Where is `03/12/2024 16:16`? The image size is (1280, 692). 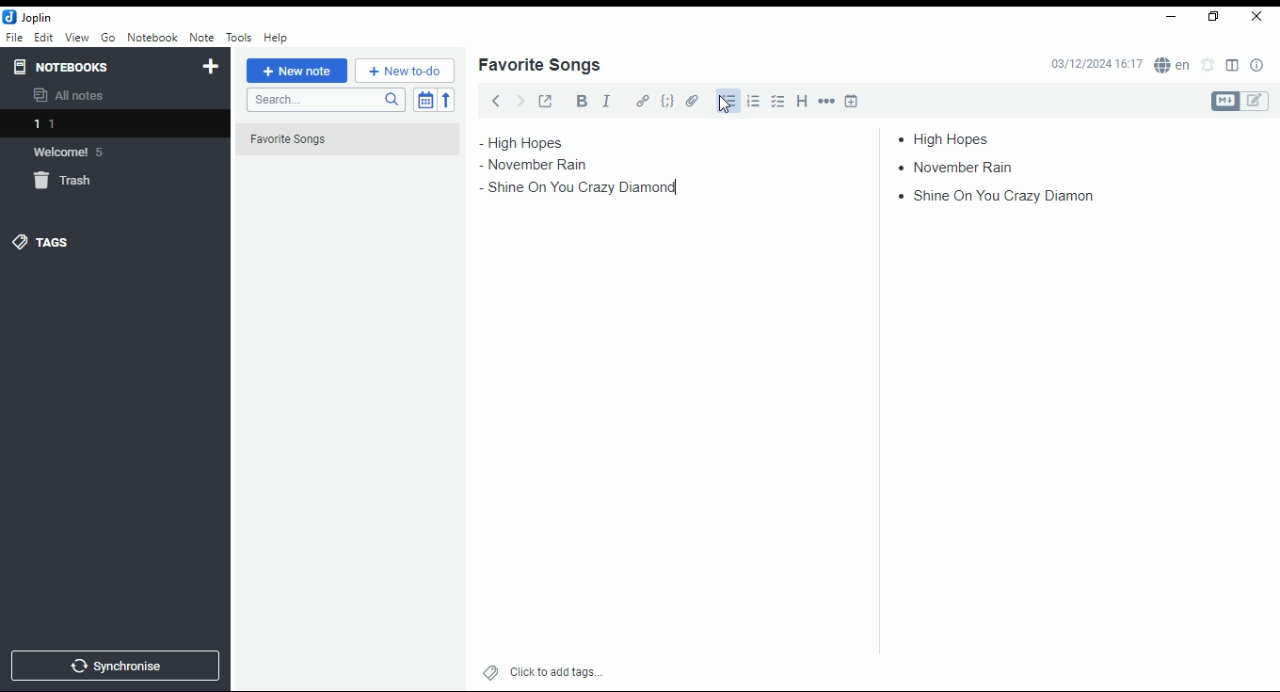 03/12/2024 16:16 is located at coordinates (1096, 64).